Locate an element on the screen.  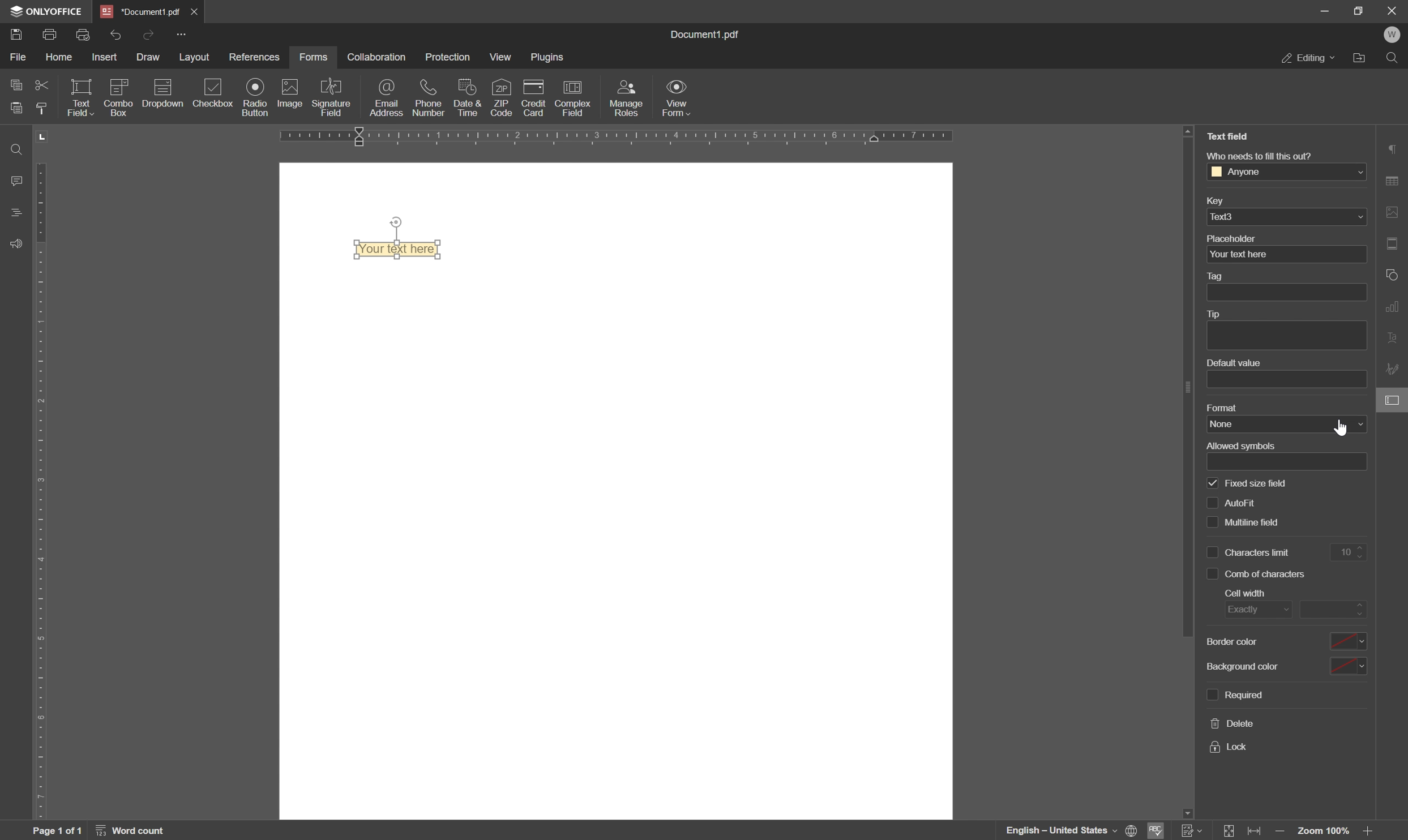
copy style is located at coordinates (45, 108).